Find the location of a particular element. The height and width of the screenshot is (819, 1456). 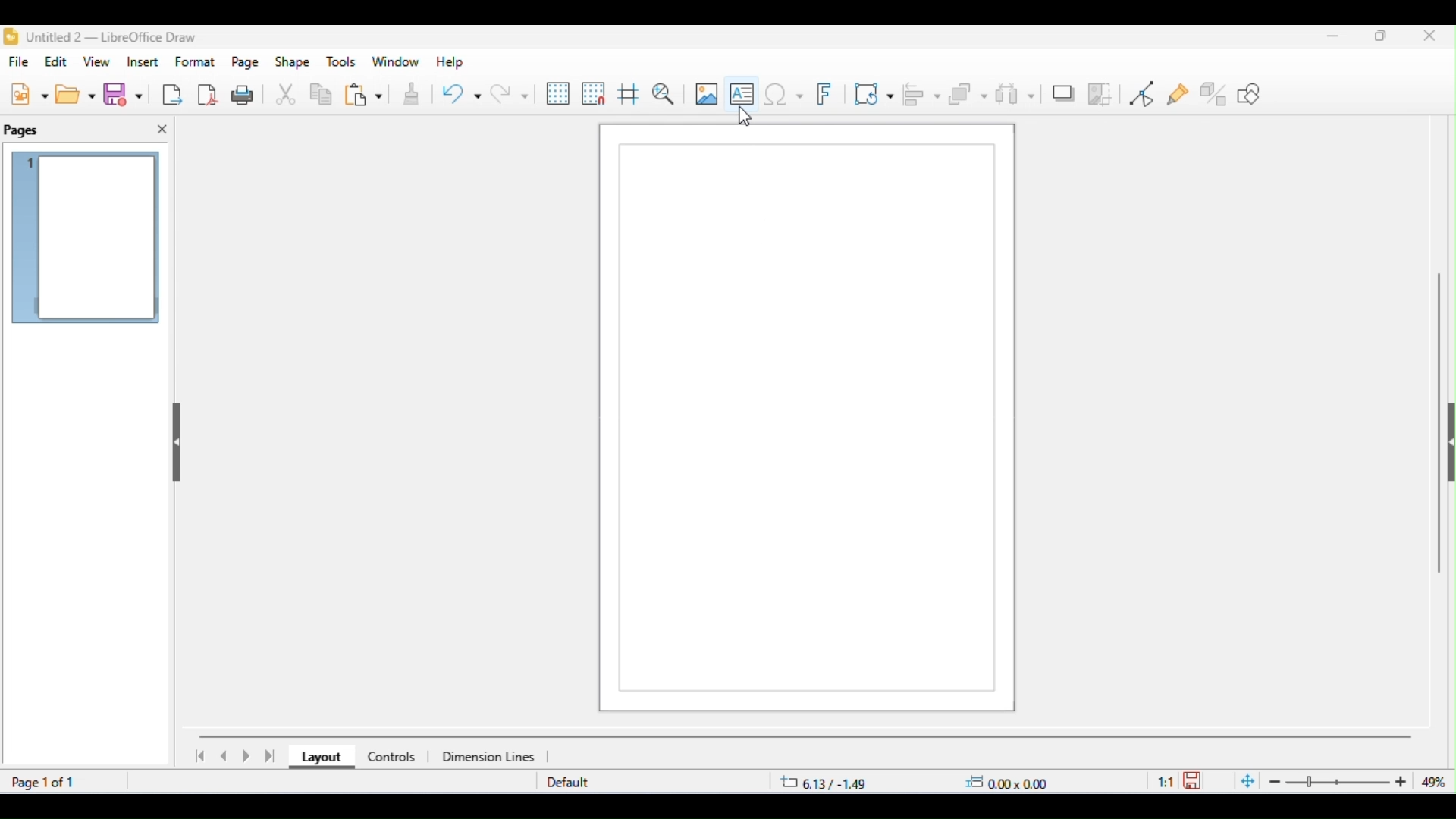

maximize is located at coordinates (1382, 38).